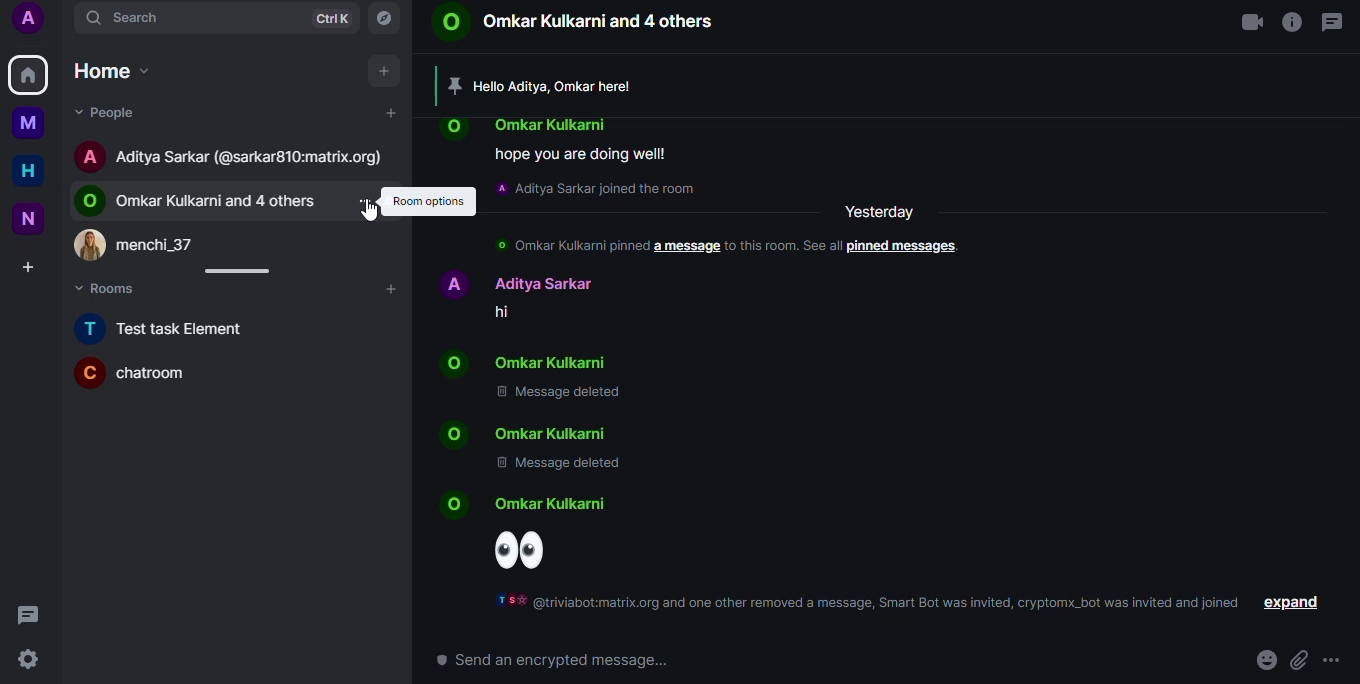 This screenshot has width=1360, height=684. I want to click on O  Omkar Kulkarni and 4 others, so click(222, 201).